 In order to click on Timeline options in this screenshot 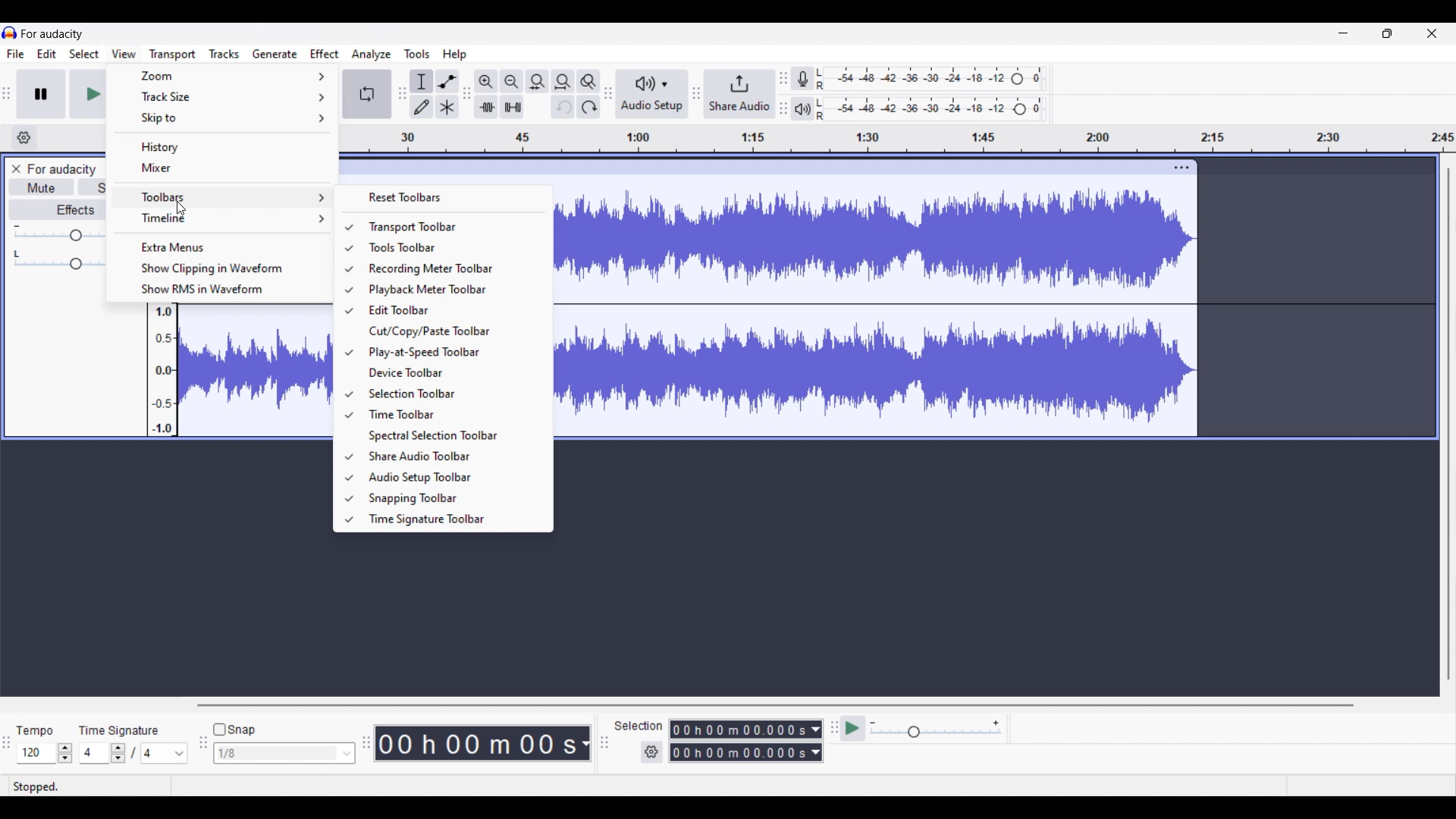, I will do `click(220, 219)`.